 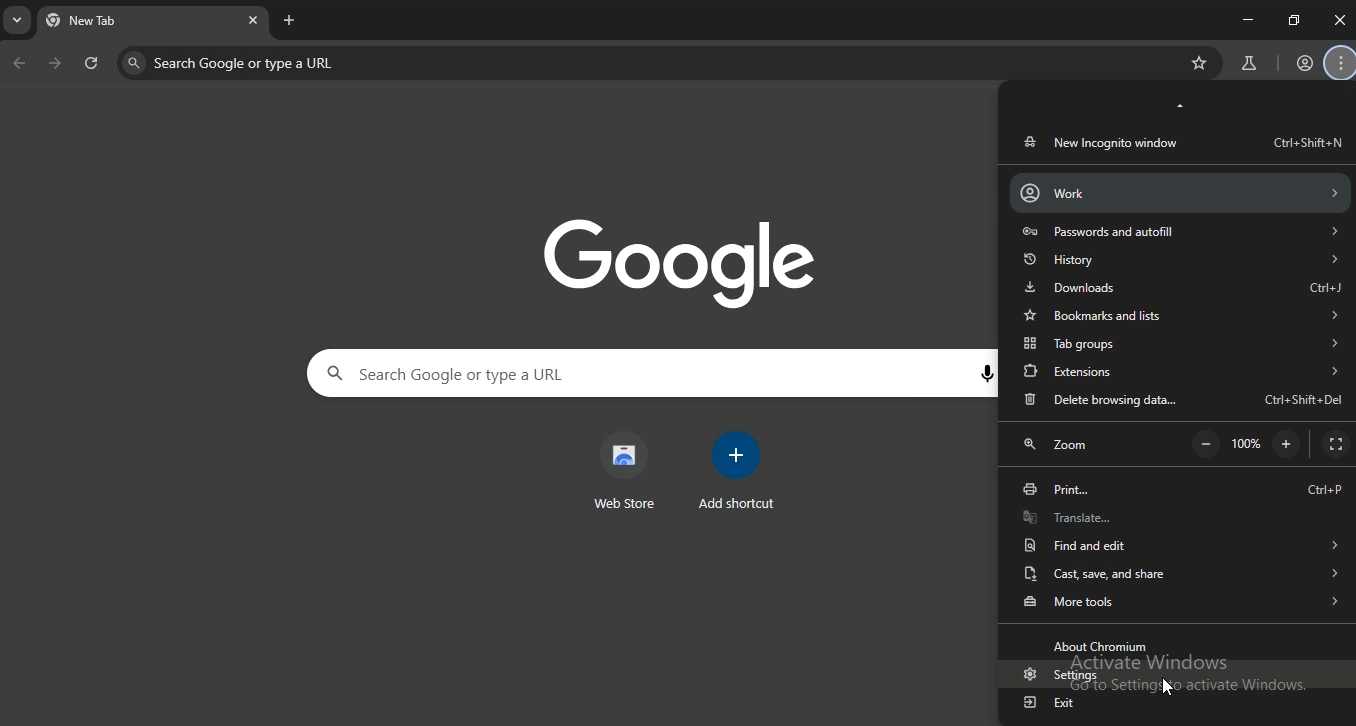 What do you see at coordinates (1055, 676) in the screenshot?
I see `aettings` at bounding box center [1055, 676].